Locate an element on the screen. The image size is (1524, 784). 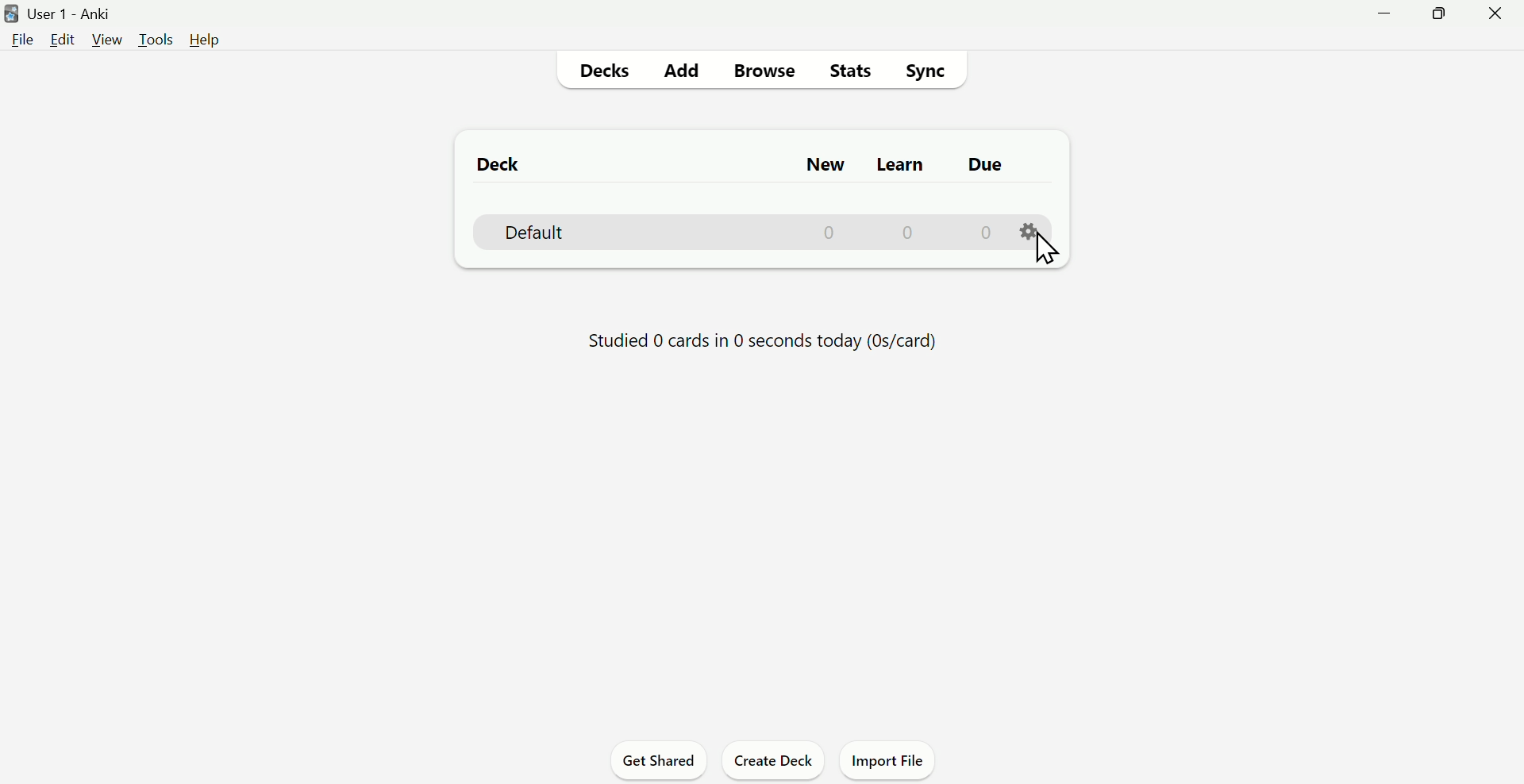
Deck is located at coordinates (504, 163).